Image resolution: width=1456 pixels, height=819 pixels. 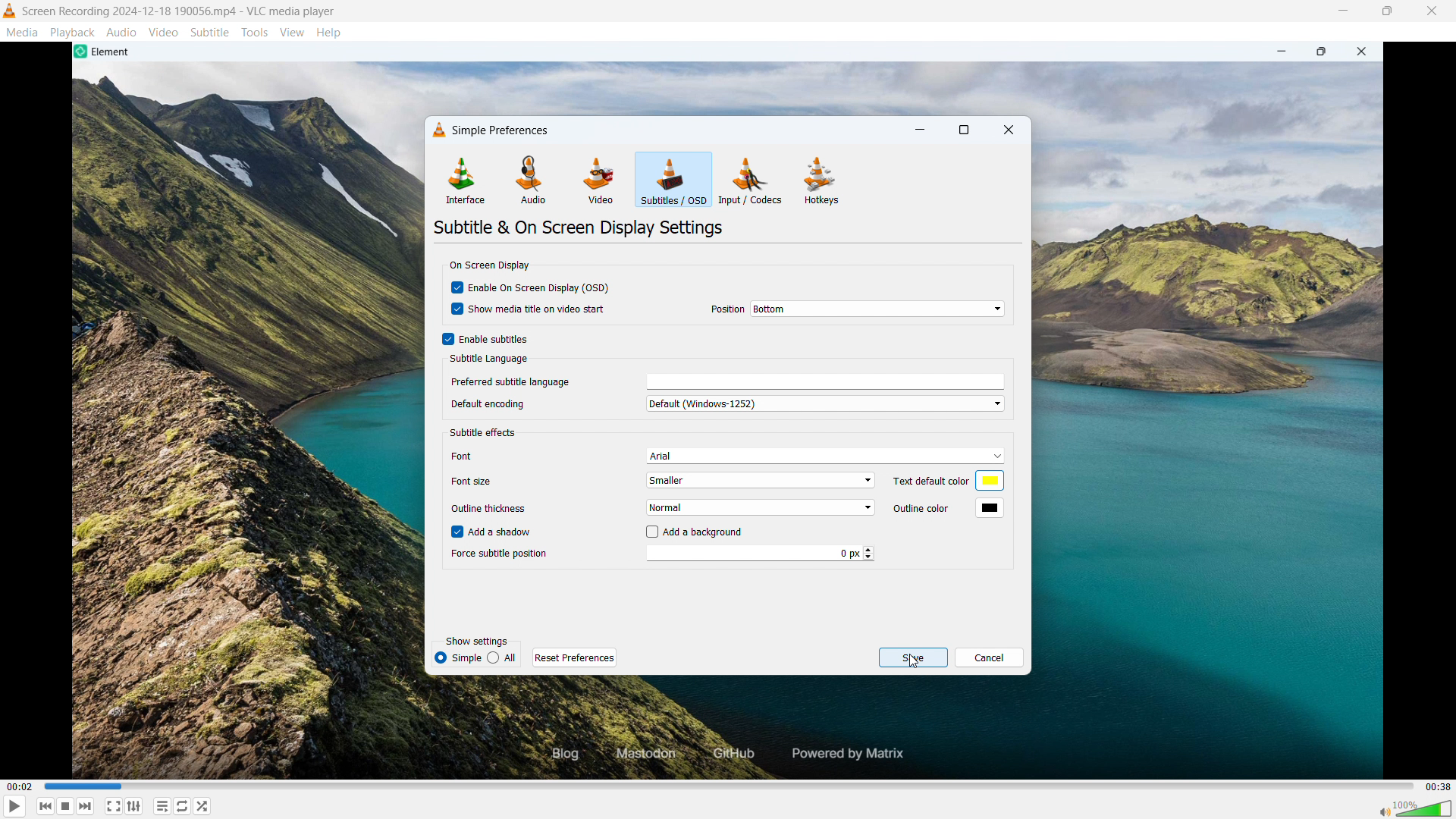 What do you see at coordinates (293, 32) in the screenshot?
I see `View ` at bounding box center [293, 32].